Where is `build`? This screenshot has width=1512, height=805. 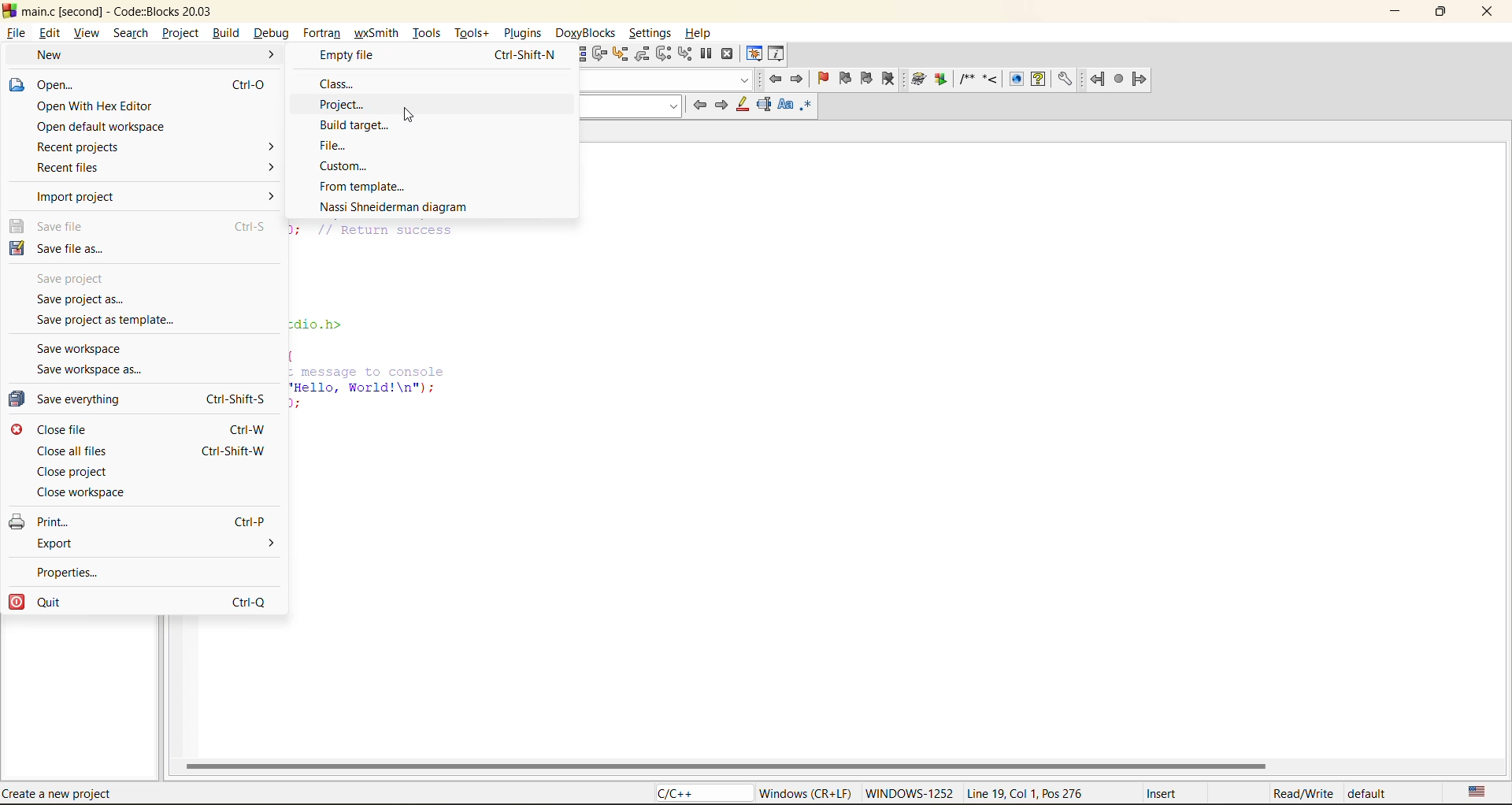 build is located at coordinates (228, 32).